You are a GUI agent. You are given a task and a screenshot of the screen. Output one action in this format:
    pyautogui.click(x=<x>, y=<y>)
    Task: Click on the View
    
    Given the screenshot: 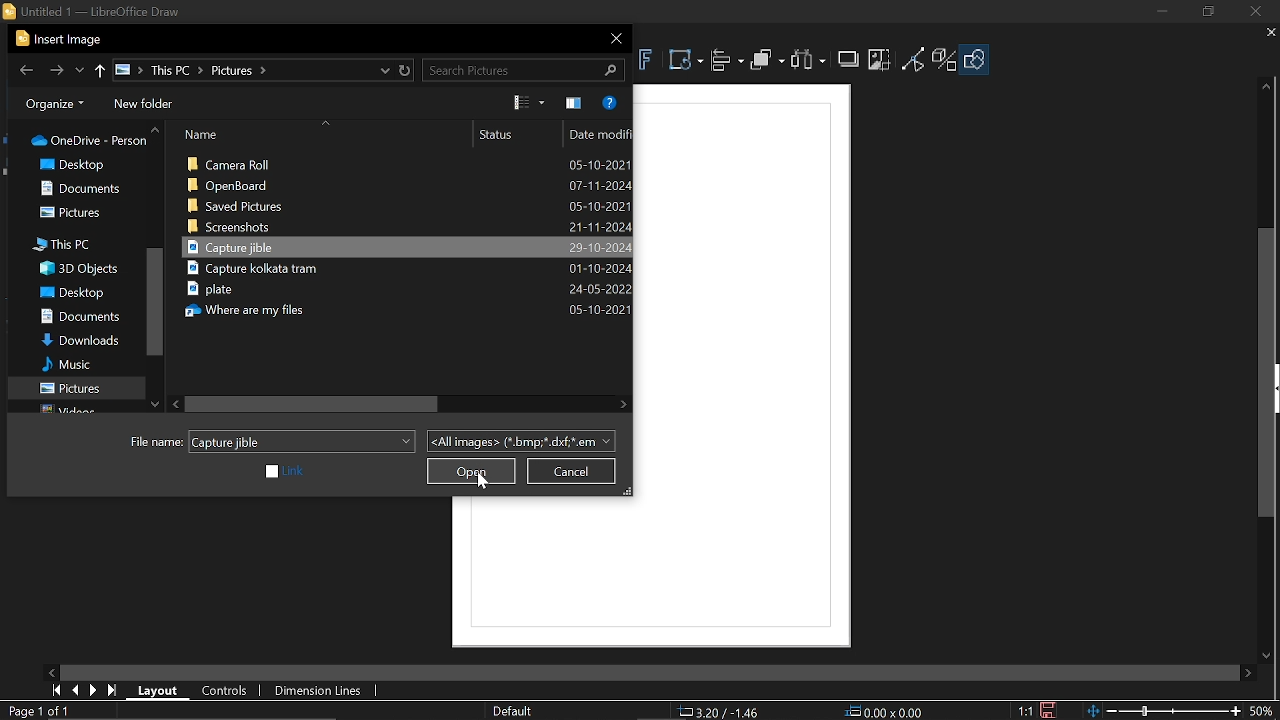 What is the action you would take?
    pyautogui.click(x=530, y=101)
    